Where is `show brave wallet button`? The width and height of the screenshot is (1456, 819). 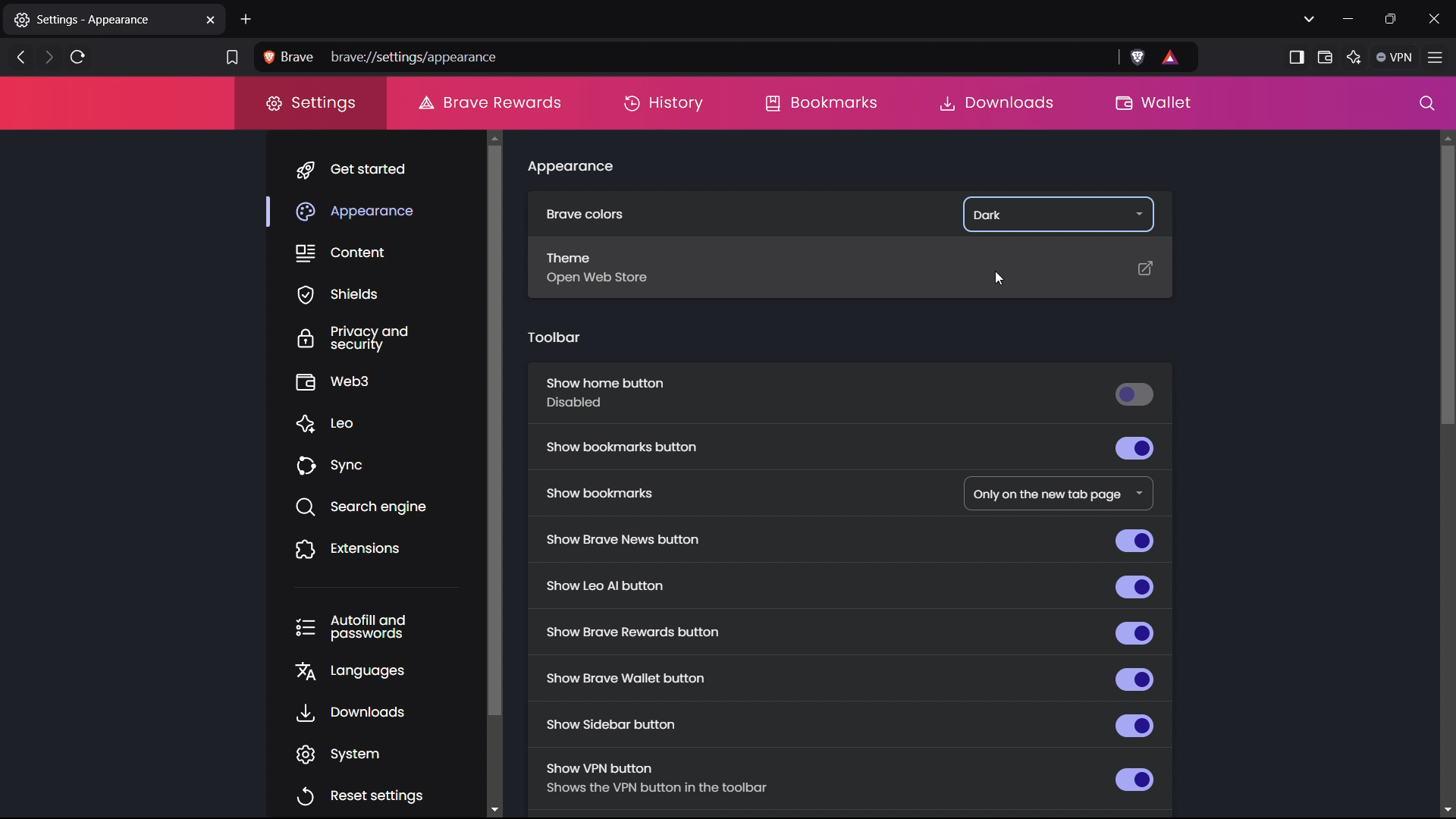 show brave wallet button is located at coordinates (849, 677).